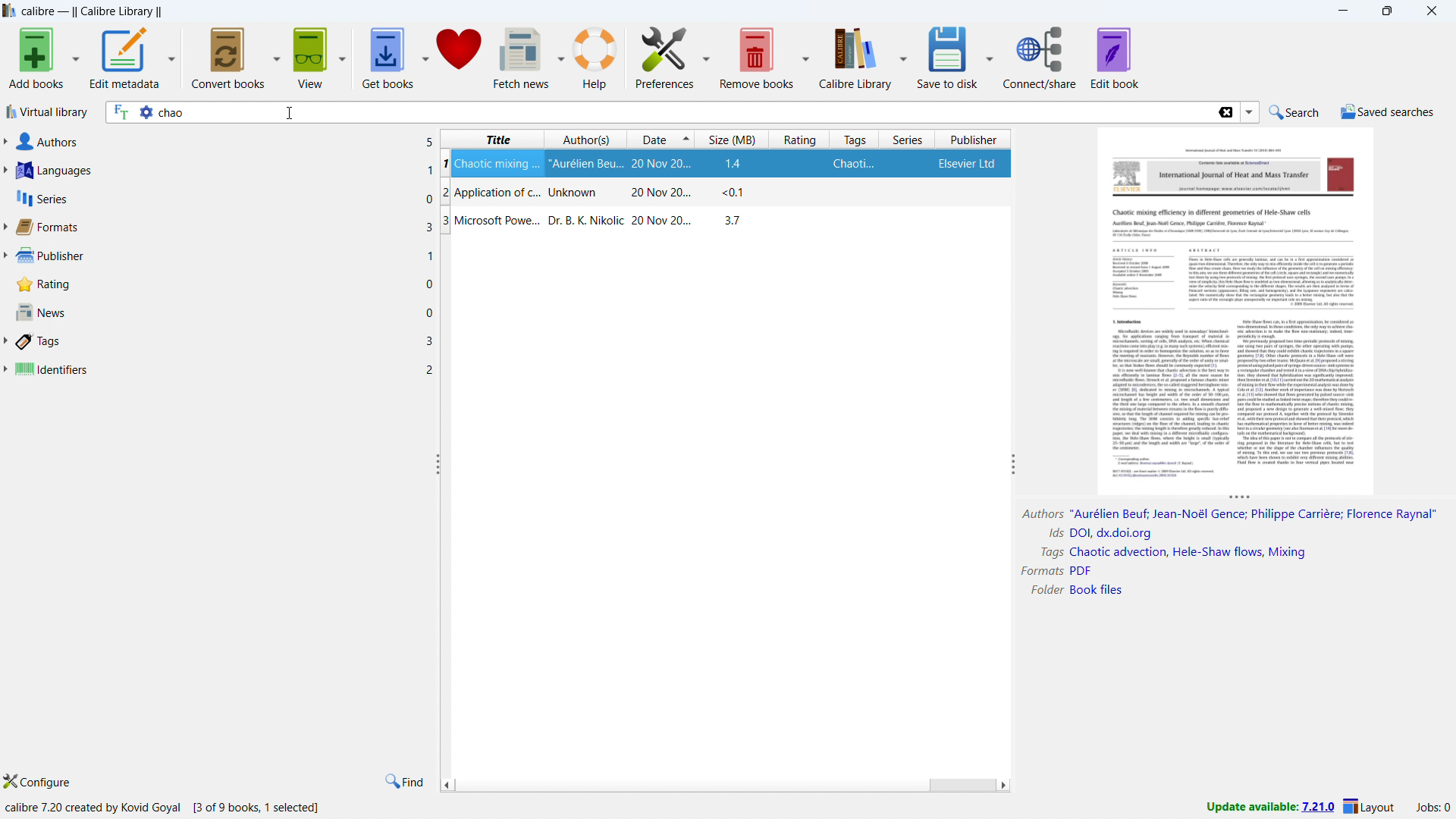  Describe the element at coordinates (1050, 532) in the screenshot. I see `ids` at that location.